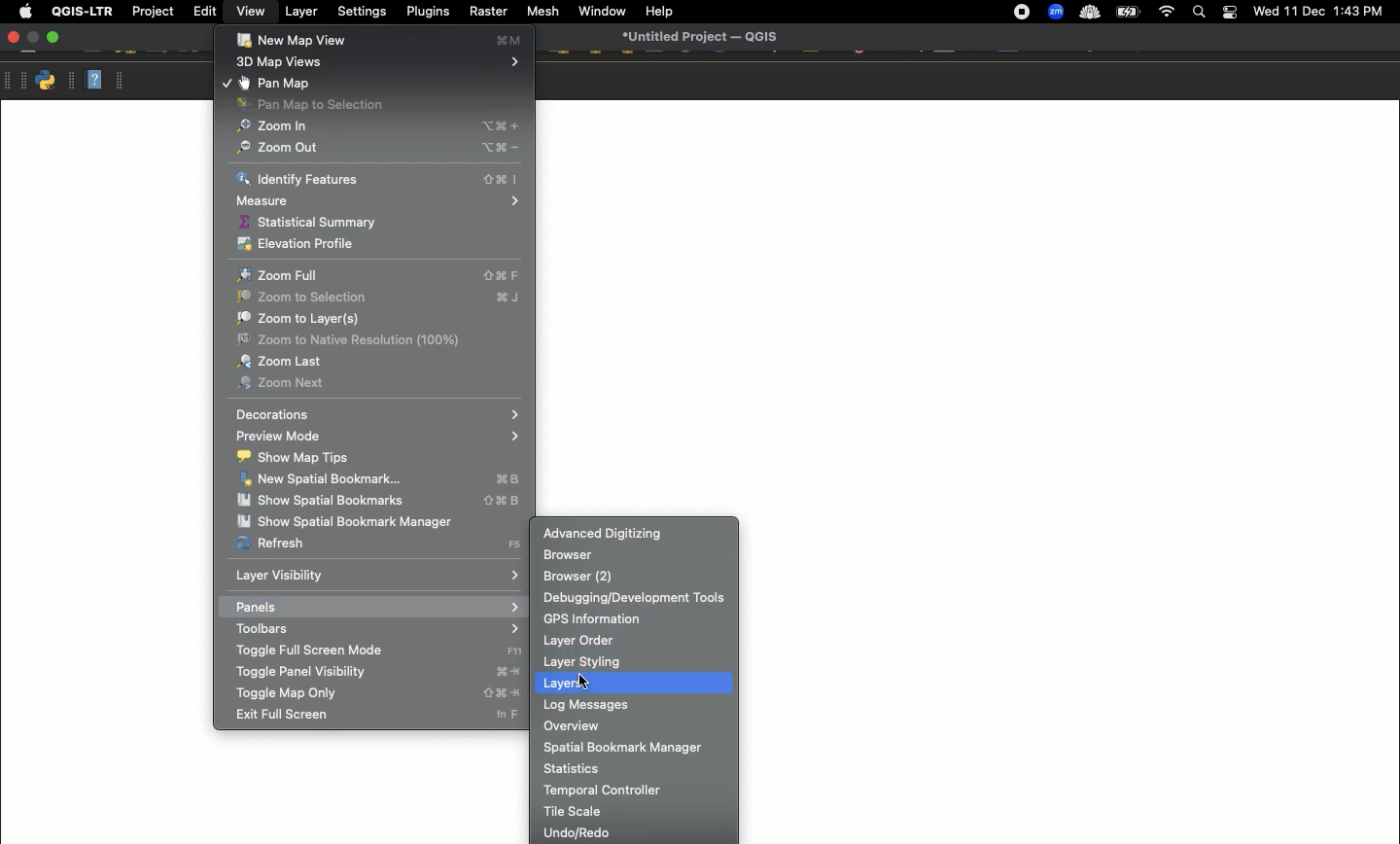 The width and height of the screenshot is (1400, 844). Describe the element at coordinates (375, 628) in the screenshot. I see `Toolbars` at that location.